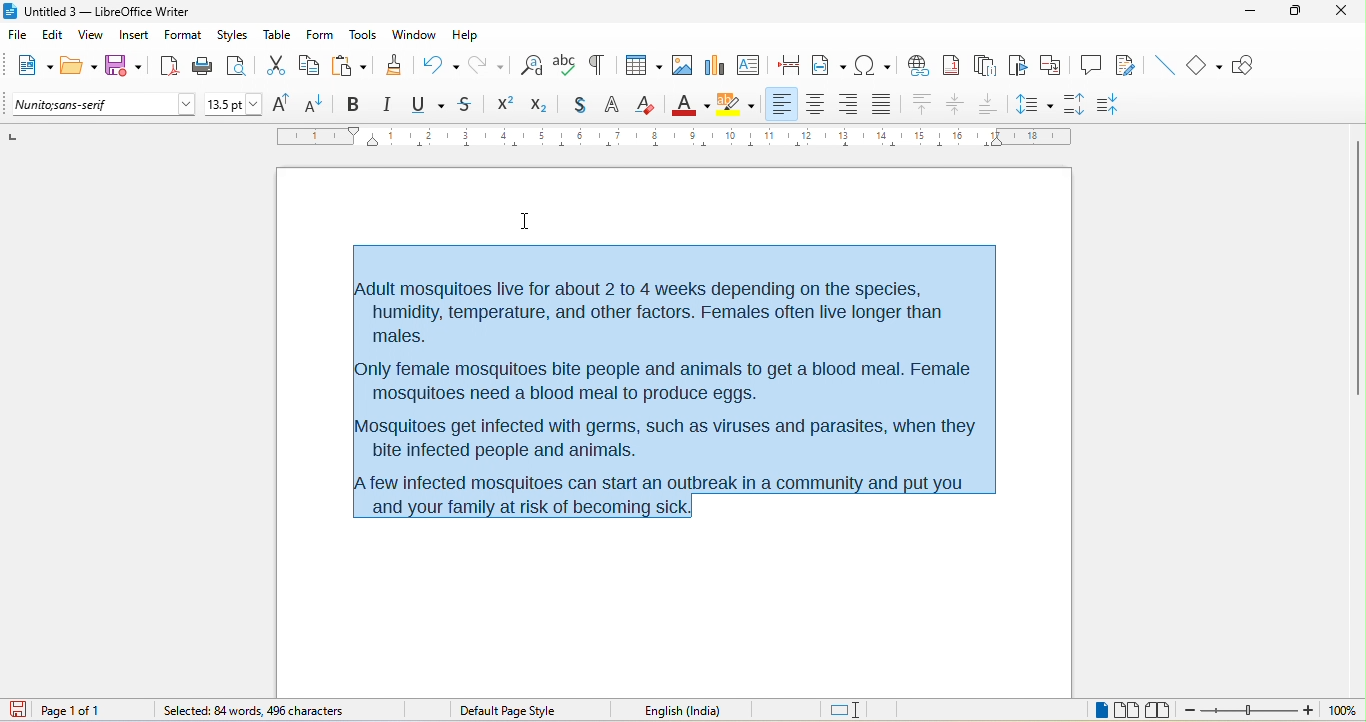 The image size is (1366, 722). Describe the element at coordinates (362, 36) in the screenshot. I see `tools` at that location.